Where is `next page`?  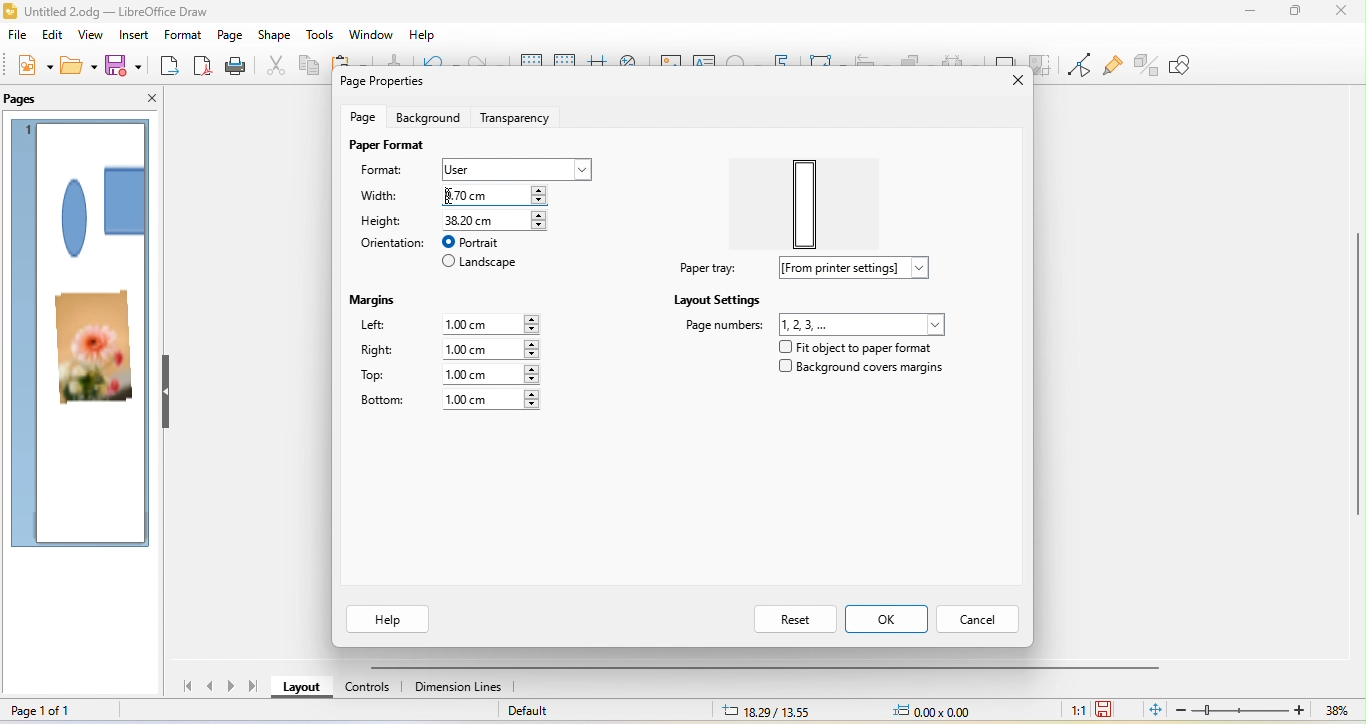 next page is located at coordinates (232, 687).